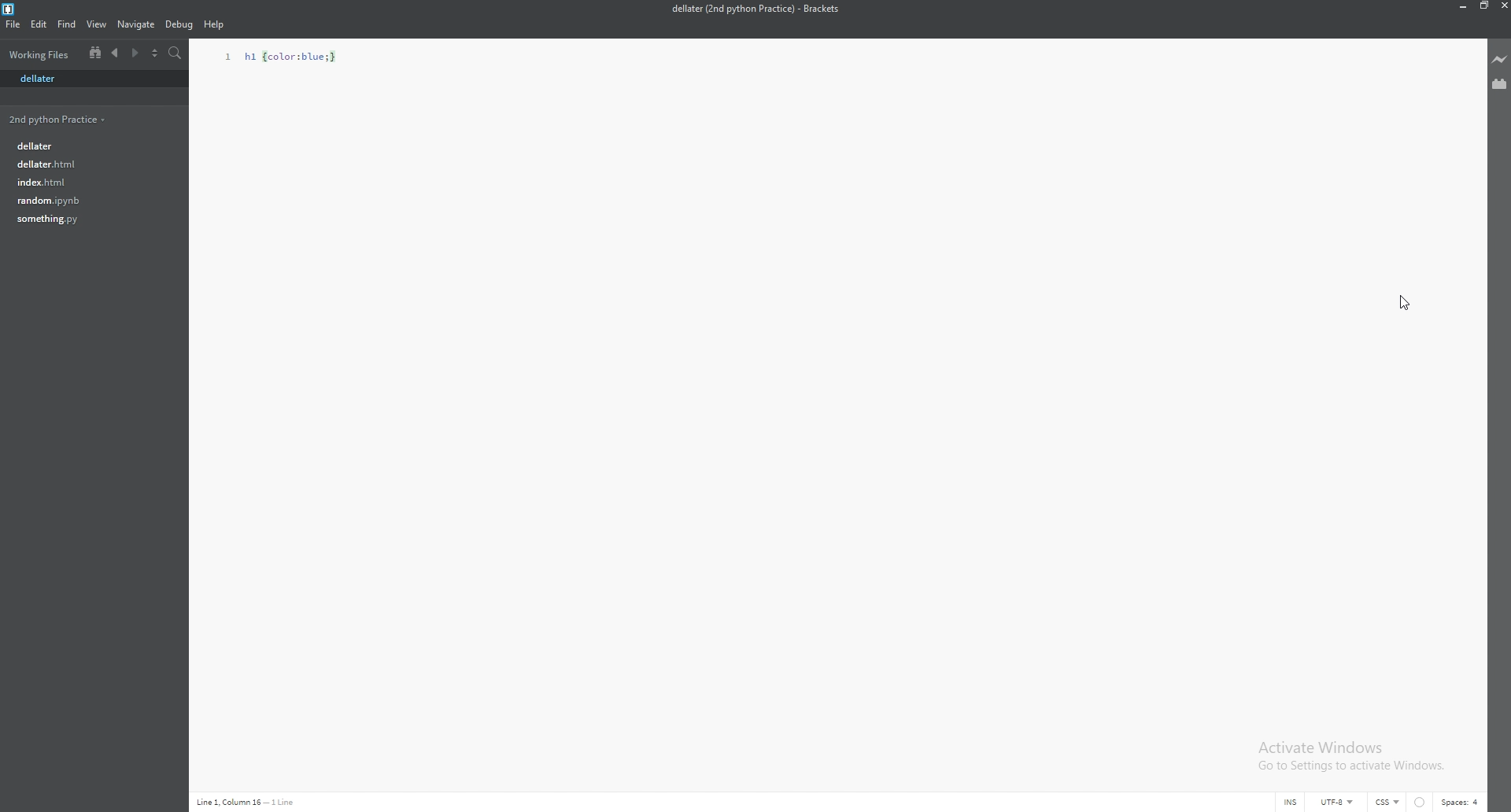 This screenshot has width=1511, height=812. What do you see at coordinates (1500, 83) in the screenshot?
I see `extension manager` at bounding box center [1500, 83].